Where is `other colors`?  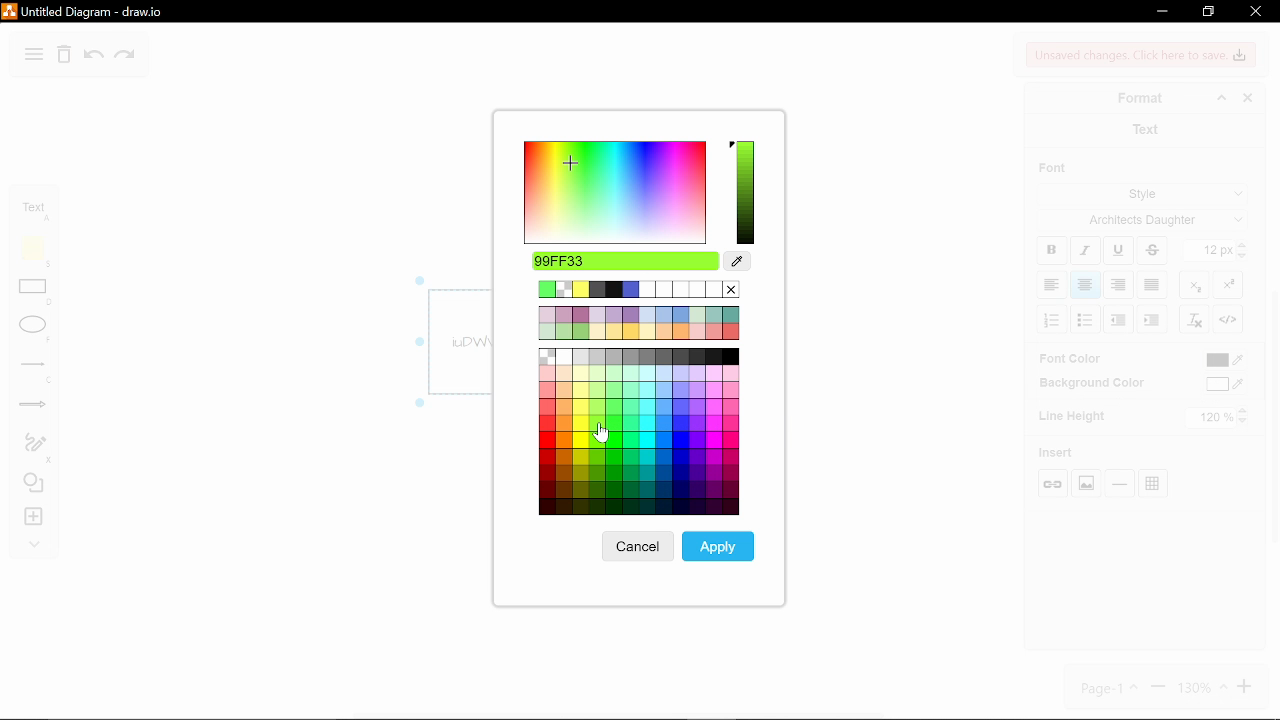
other colors is located at coordinates (640, 323).